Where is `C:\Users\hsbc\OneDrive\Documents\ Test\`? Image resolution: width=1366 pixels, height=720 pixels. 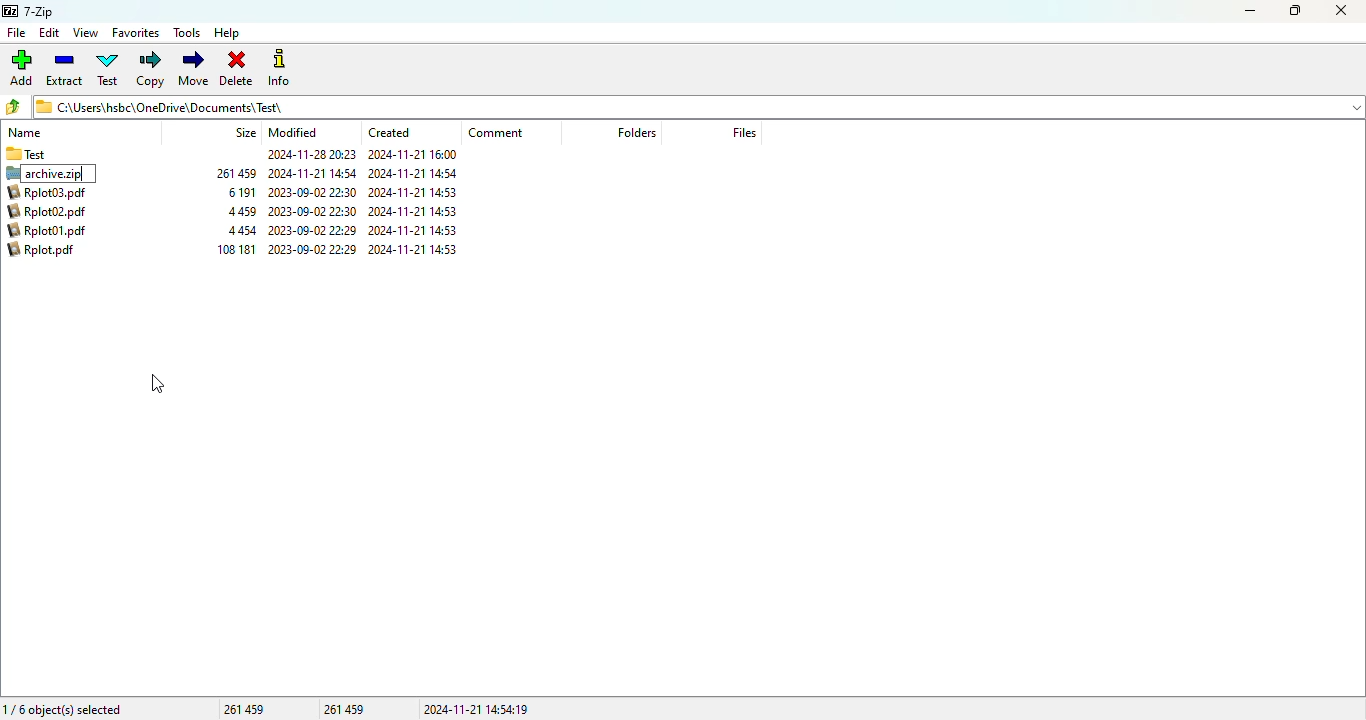 C:\Users\hsbc\OneDrive\Documents\ Test\ is located at coordinates (683, 107).